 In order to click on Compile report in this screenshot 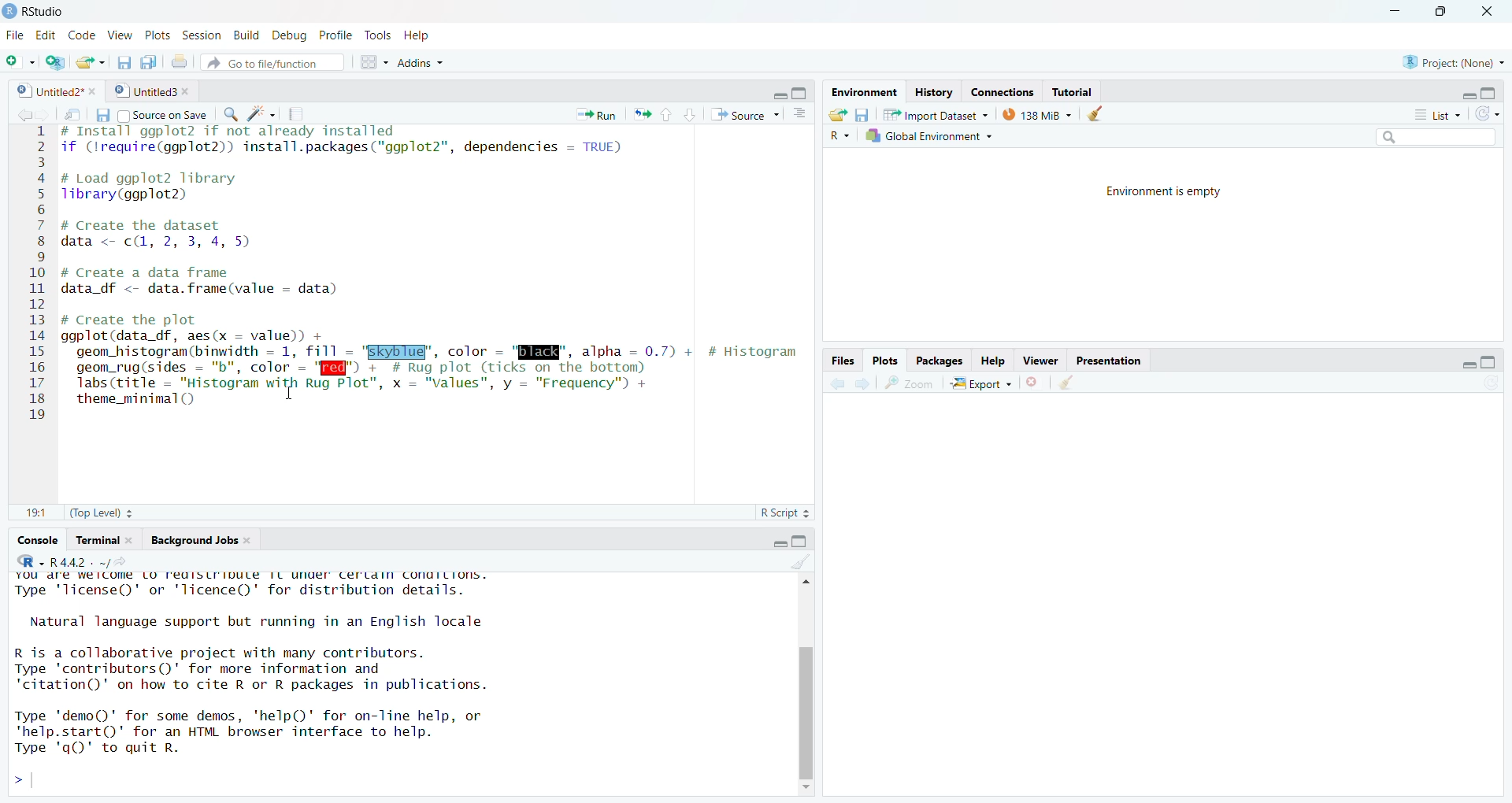, I will do `click(299, 114)`.